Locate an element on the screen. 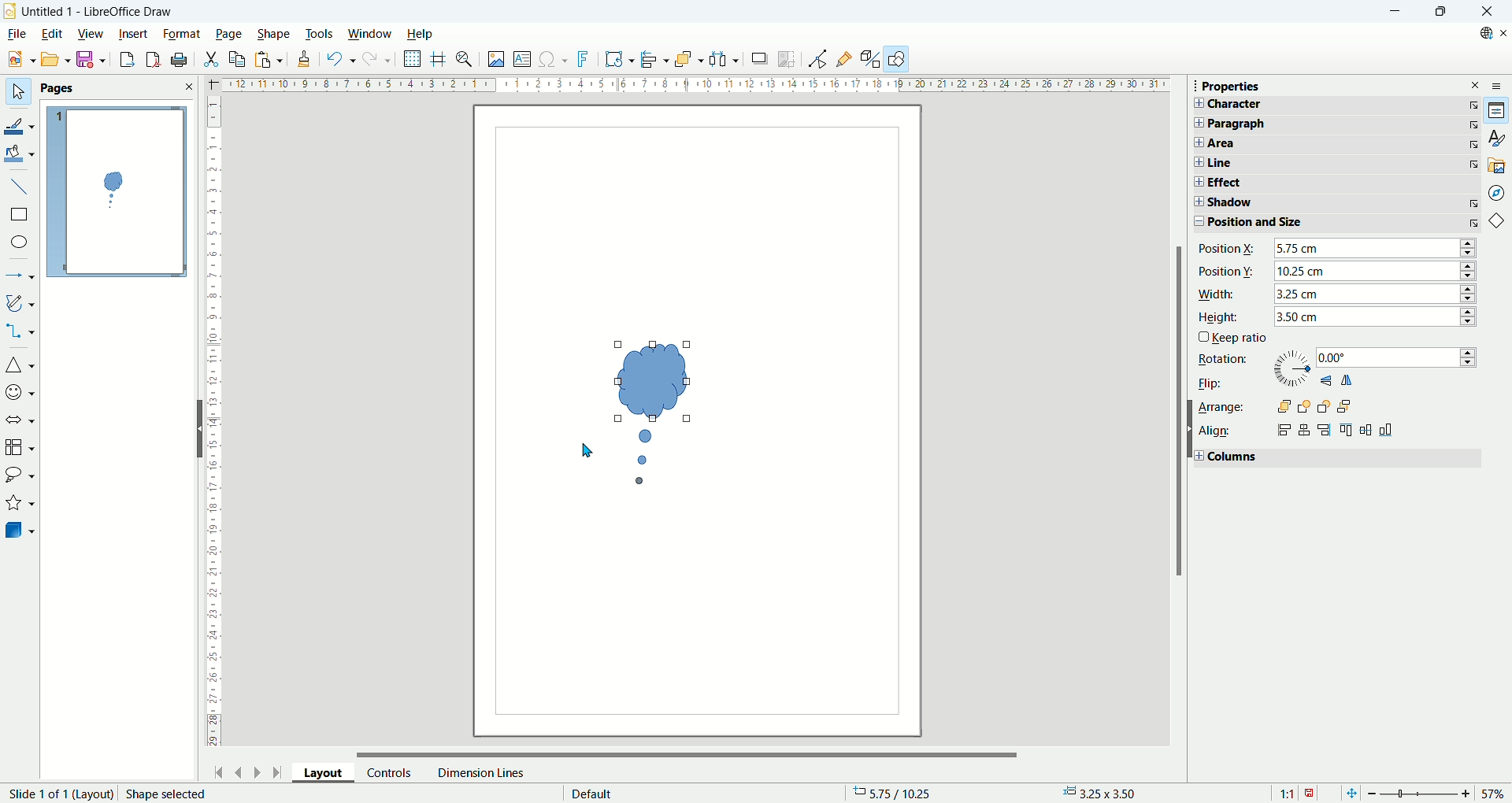 The height and width of the screenshot is (803, 1512). crop image is located at coordinates (787, 57).